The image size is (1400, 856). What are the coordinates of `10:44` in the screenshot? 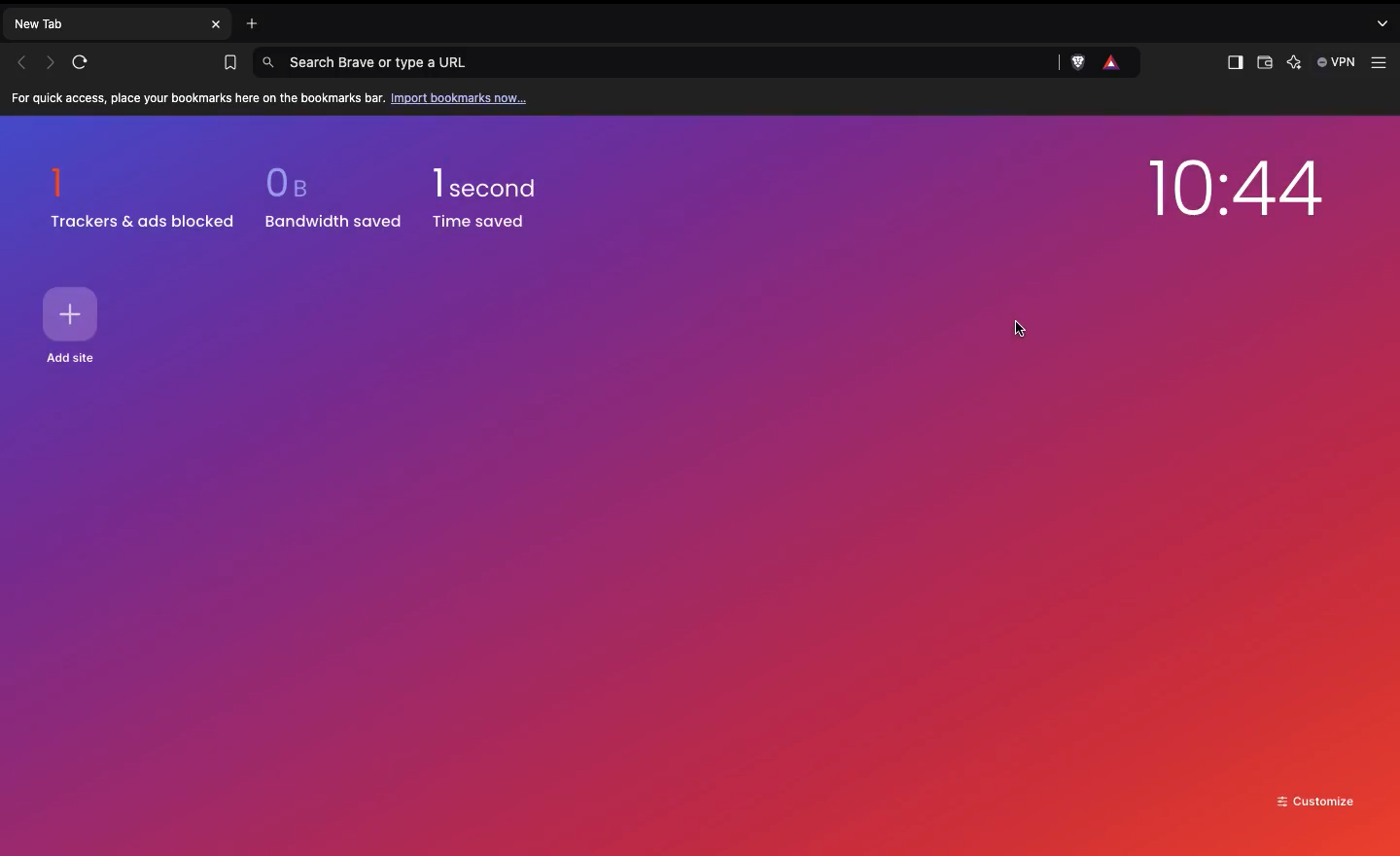 It's located at (1236, 194).